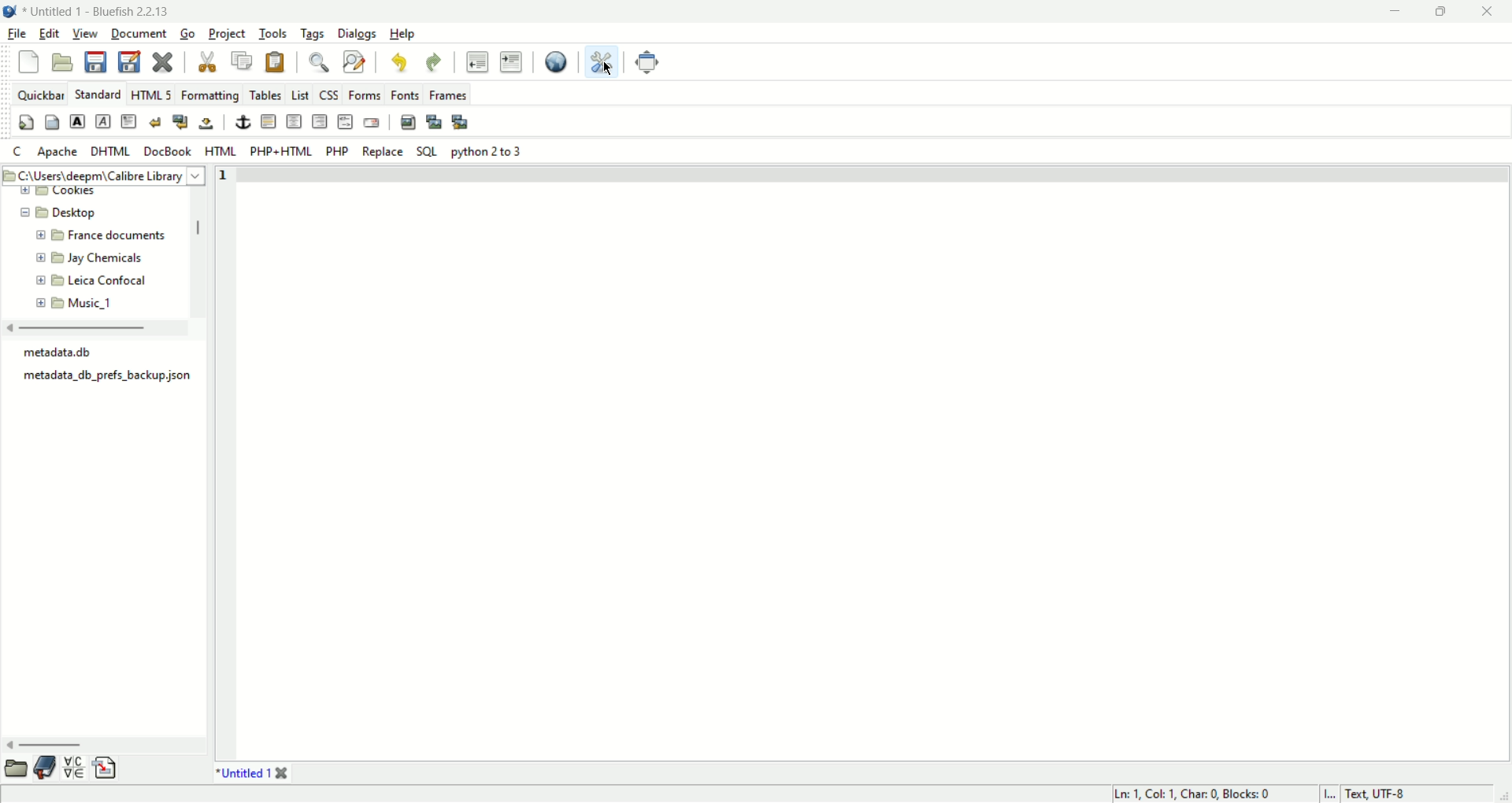  Describe the element at coordinates (16, 768) in the screenshot. I see `file browser` at that location.